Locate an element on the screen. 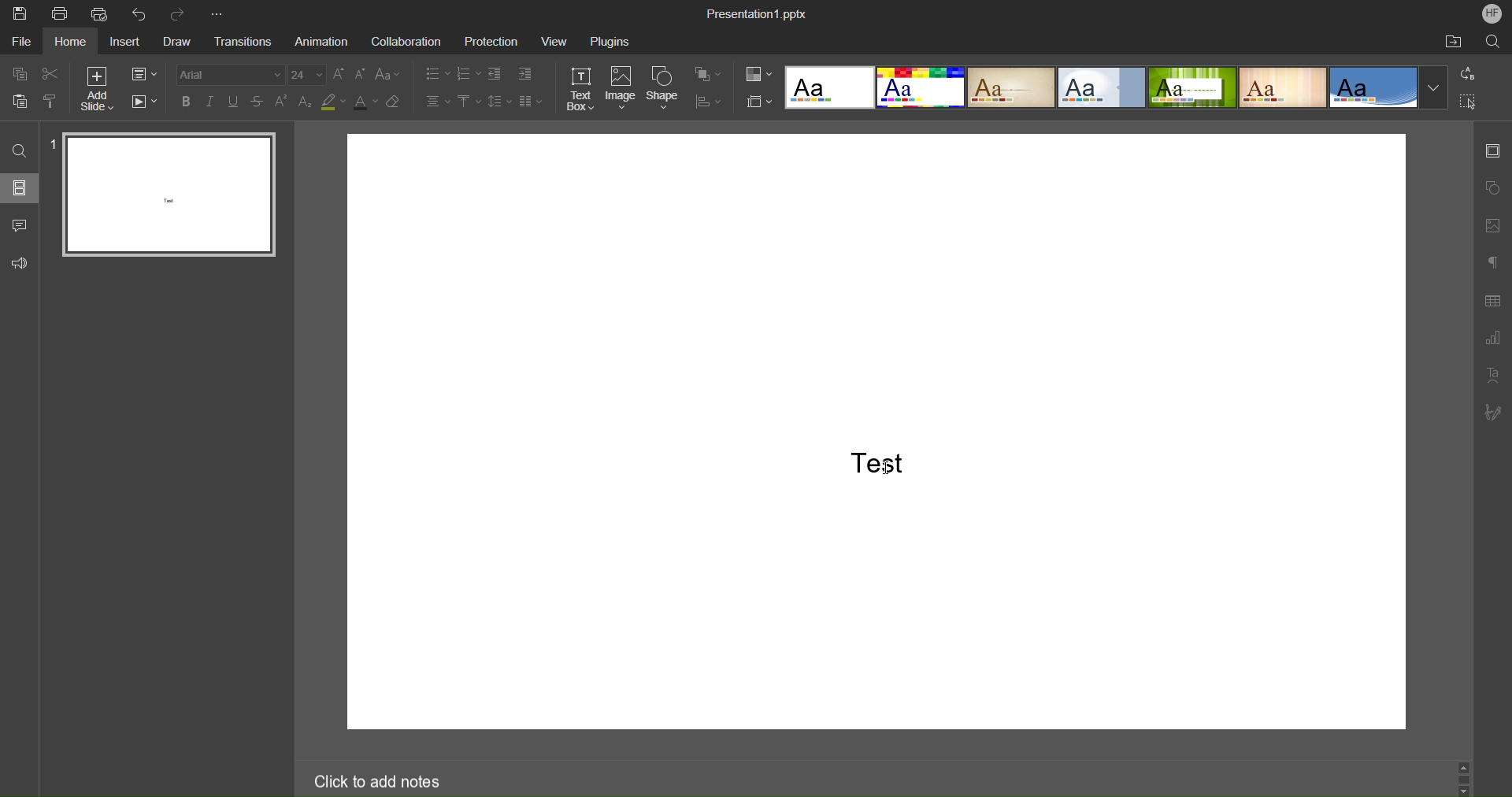 Image resolution: width=1512 pixels, height=797 pixels. Align is located at coordinates (708, 102).